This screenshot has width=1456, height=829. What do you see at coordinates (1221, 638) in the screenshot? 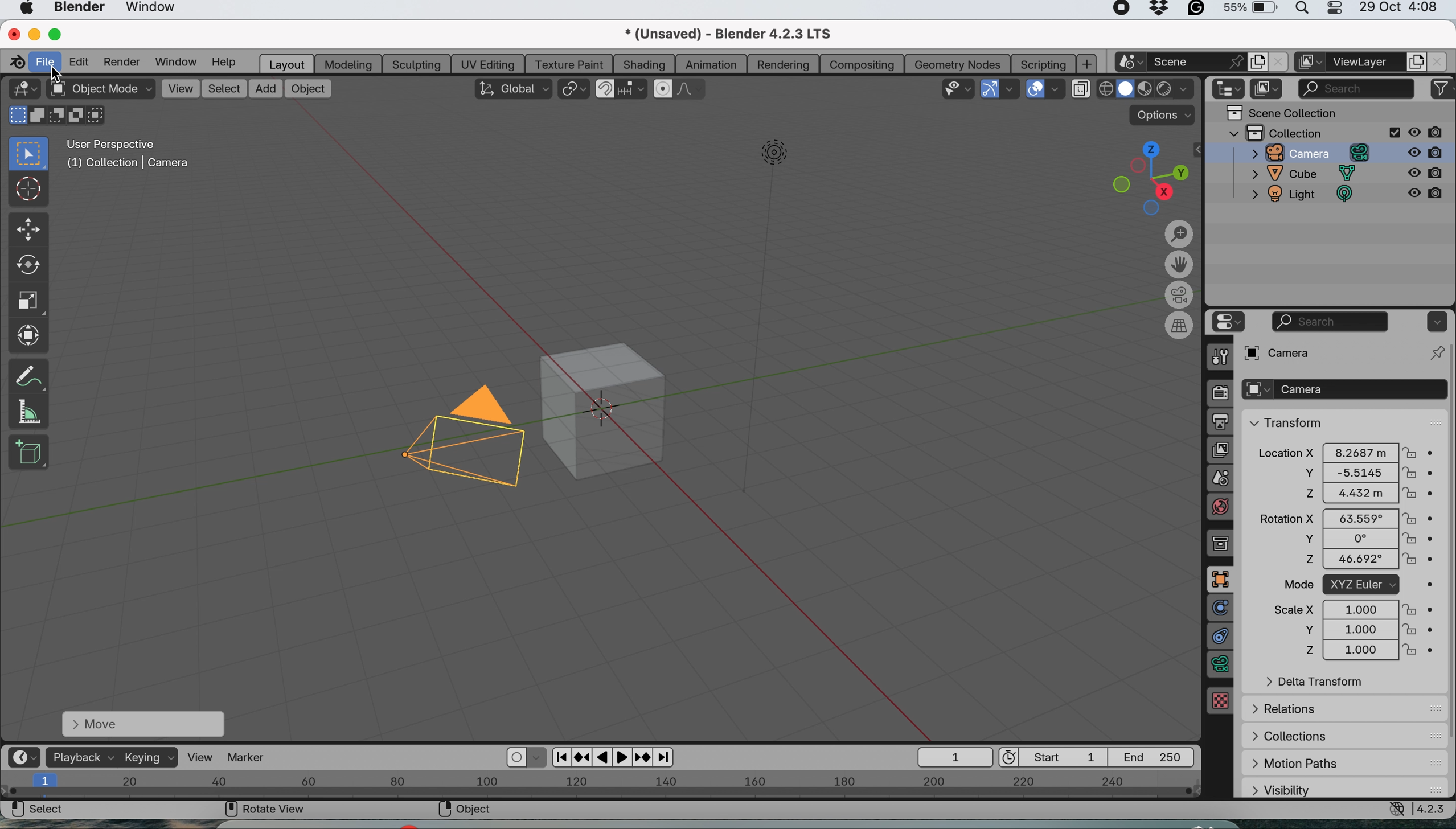
I see `constraints` at bounding box center [1221, 638].